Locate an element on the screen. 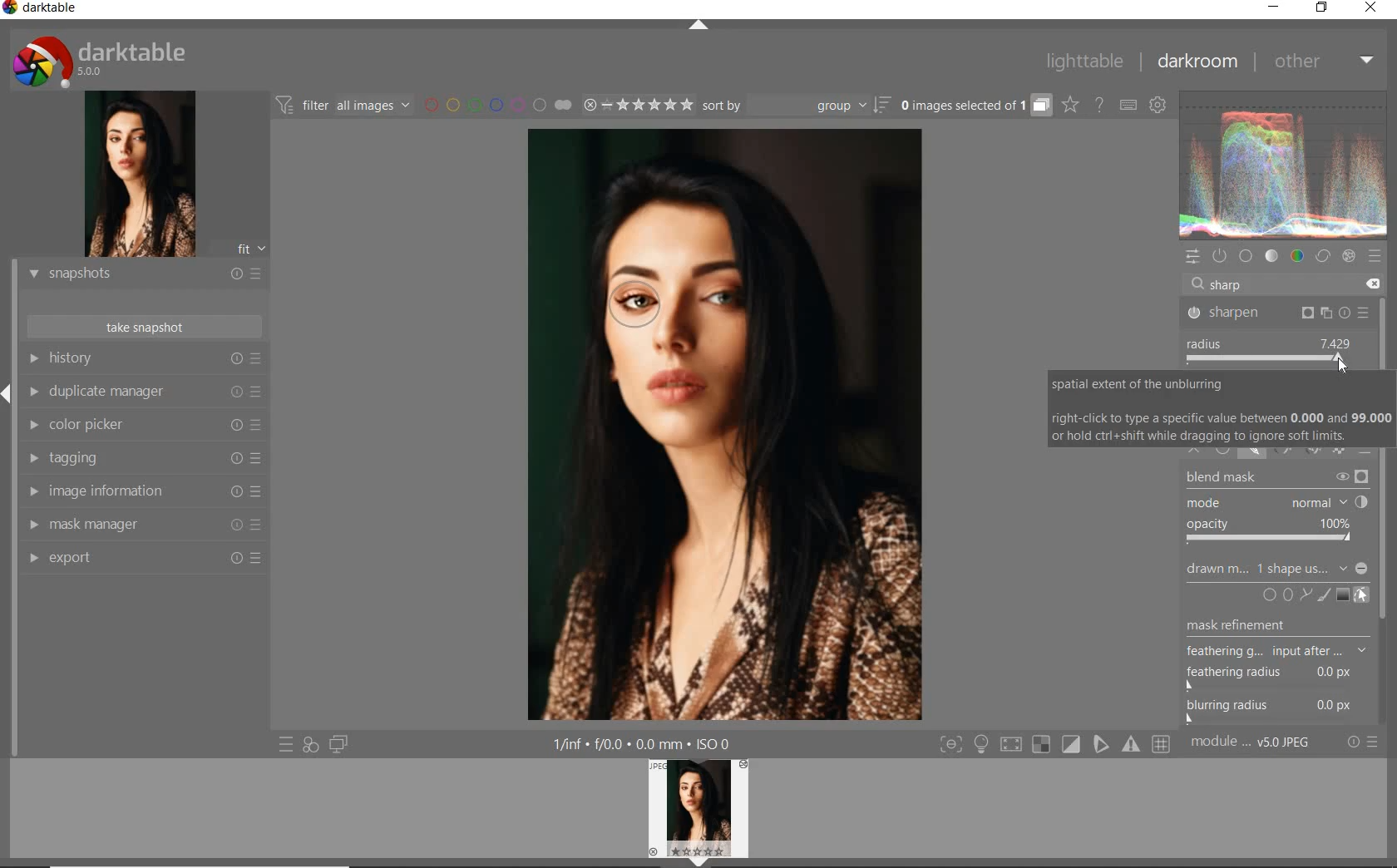 The width and height of the screenshot is (1397, 868). effect is located at coordinates (1349, 258).